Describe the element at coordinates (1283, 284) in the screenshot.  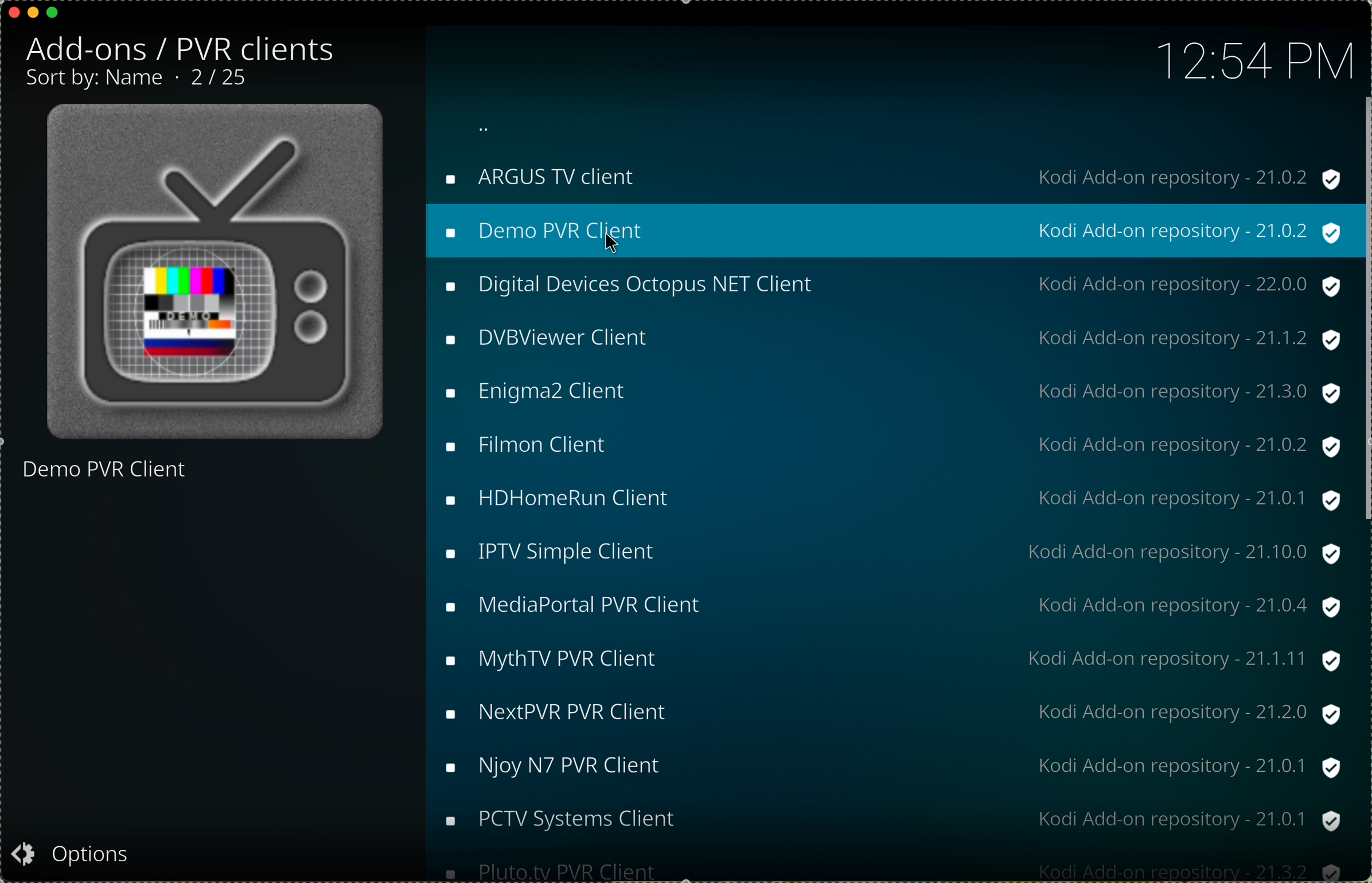
I see `22.0.0` at that location.